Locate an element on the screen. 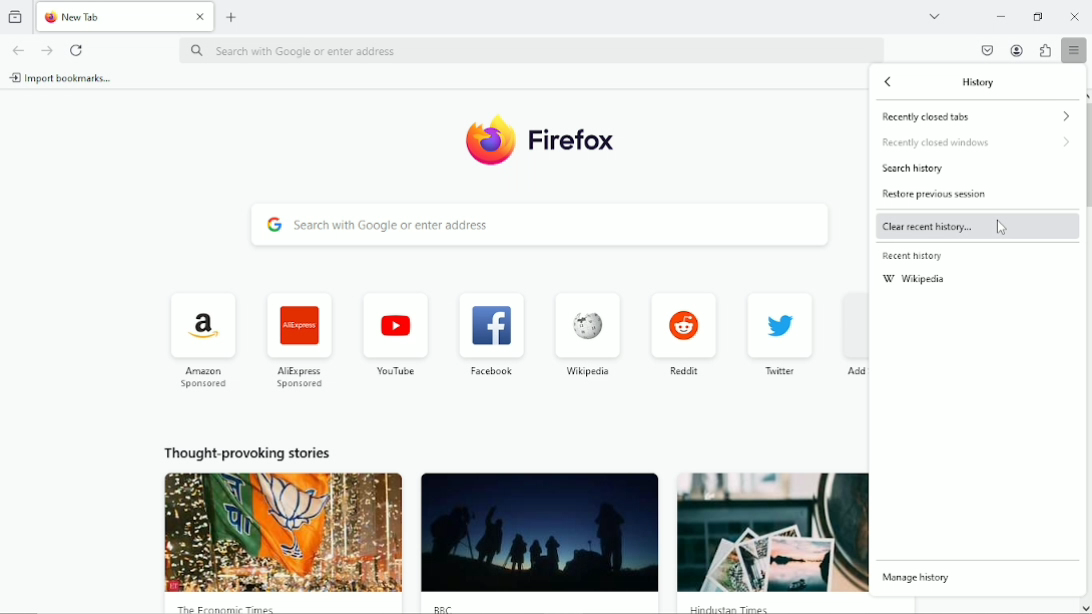 The width and height of the screenshot is (1092, 614). Reload current page is located at coordinates (77, 49).